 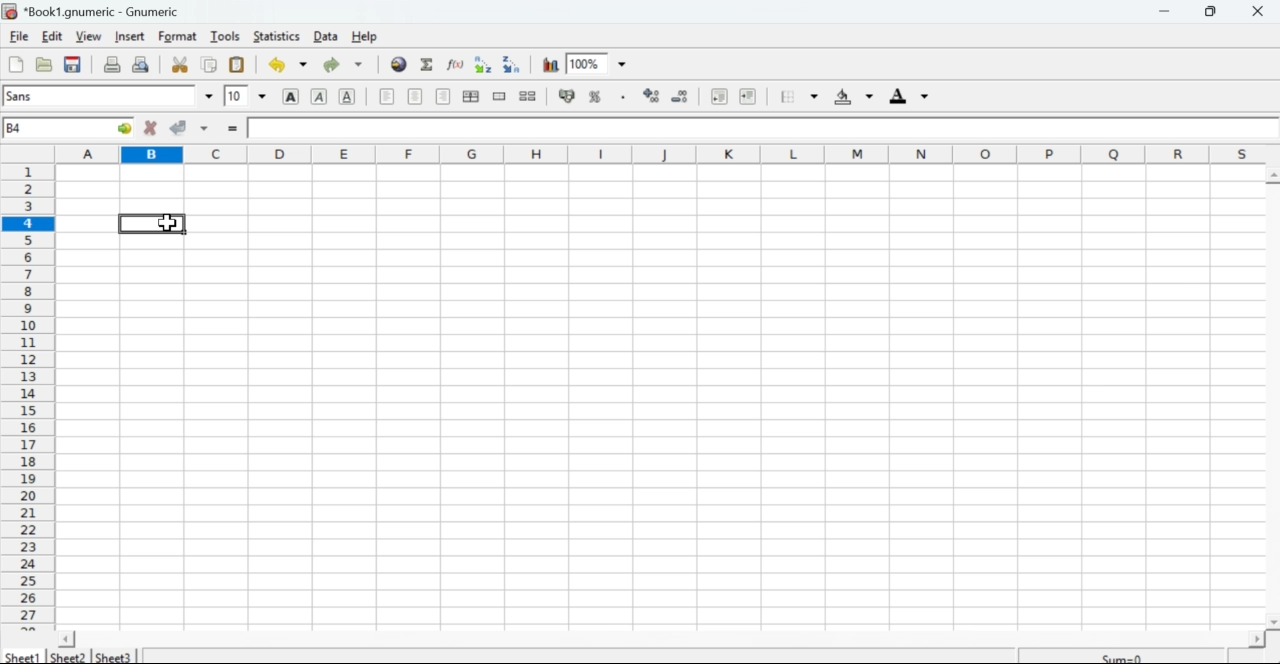 What do you see at coordinates (208, 93) in the screenshot?
I see `down` at bounding box center [208, 93].